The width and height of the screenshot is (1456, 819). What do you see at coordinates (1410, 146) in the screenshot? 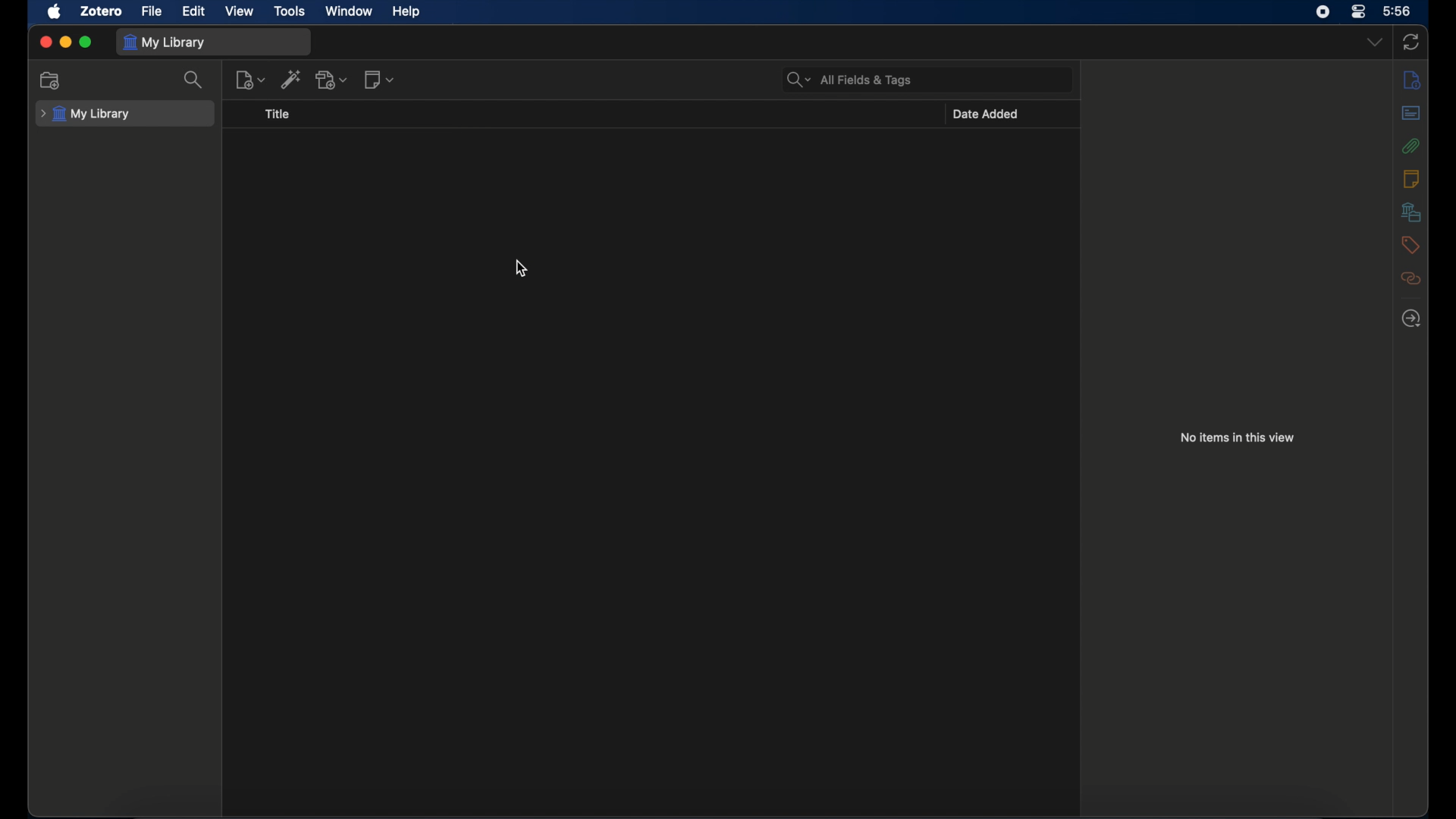
I see `attachments` at bounding box center [1410, 146].